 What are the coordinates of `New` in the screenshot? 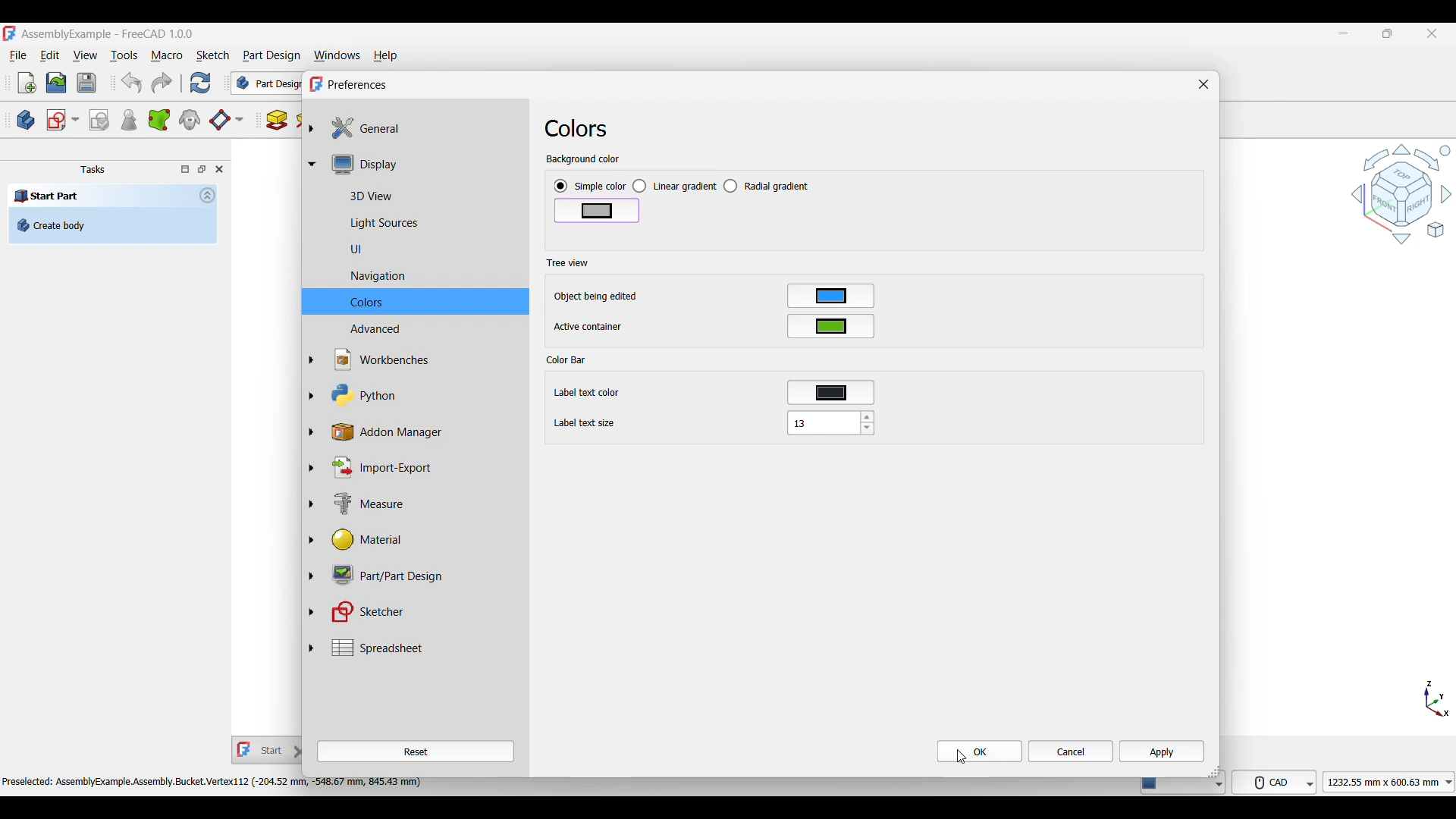 It's located at (27, 83).